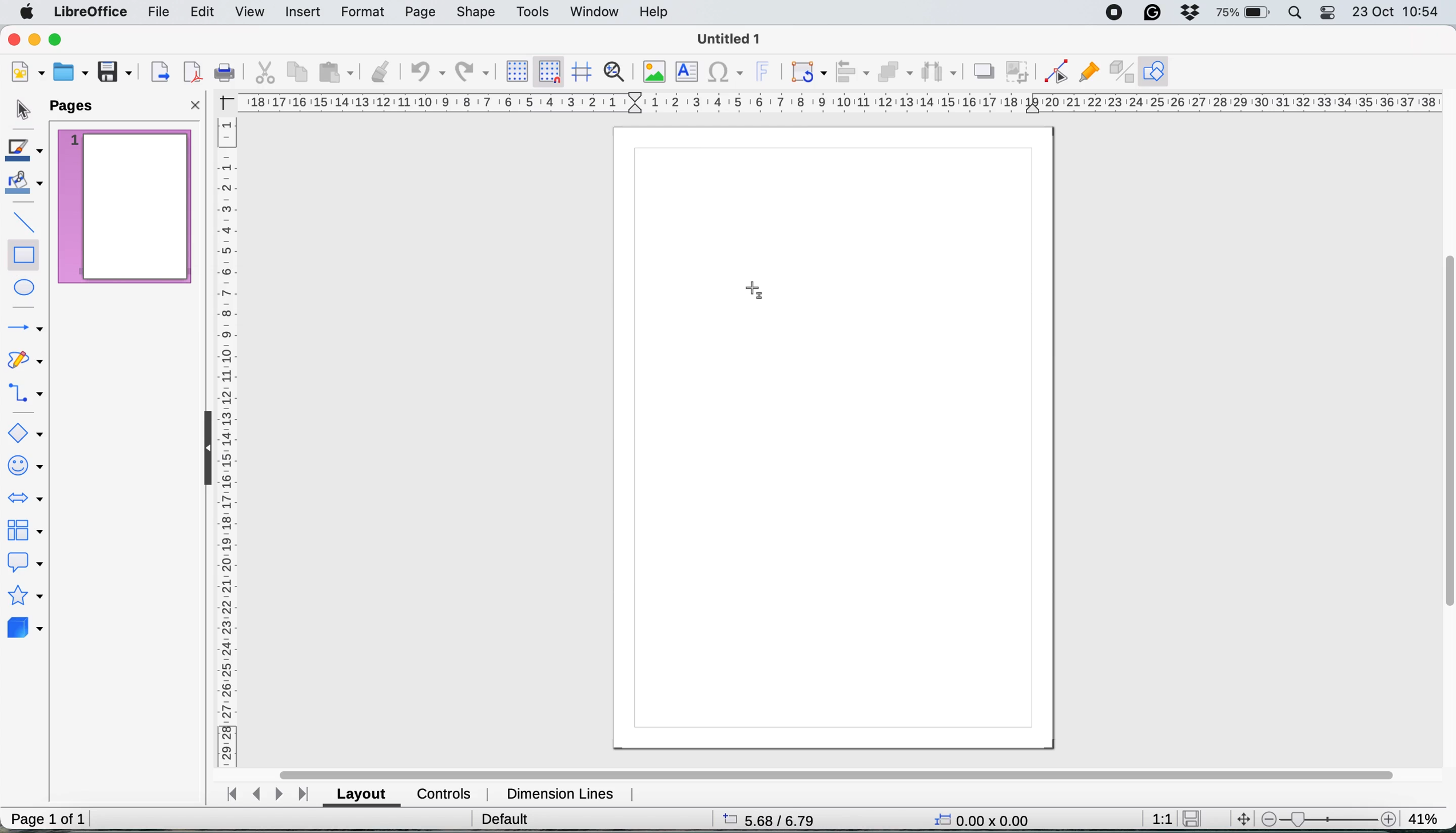  I want to click on insert fontwork text, so click(767, 70).